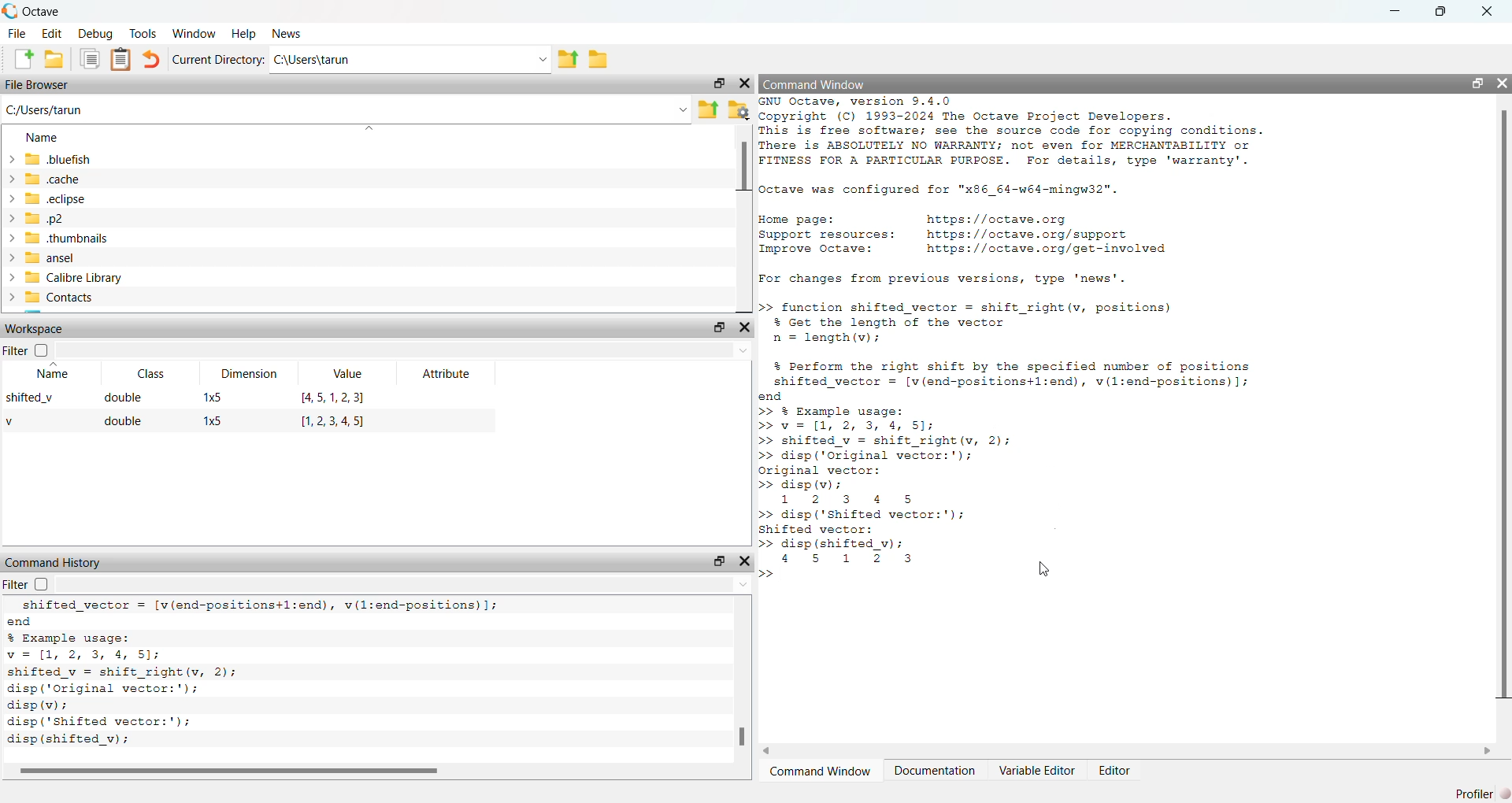 This screenshot has height=803, width=1512. I want to click on hide widget, so click(747, 561).